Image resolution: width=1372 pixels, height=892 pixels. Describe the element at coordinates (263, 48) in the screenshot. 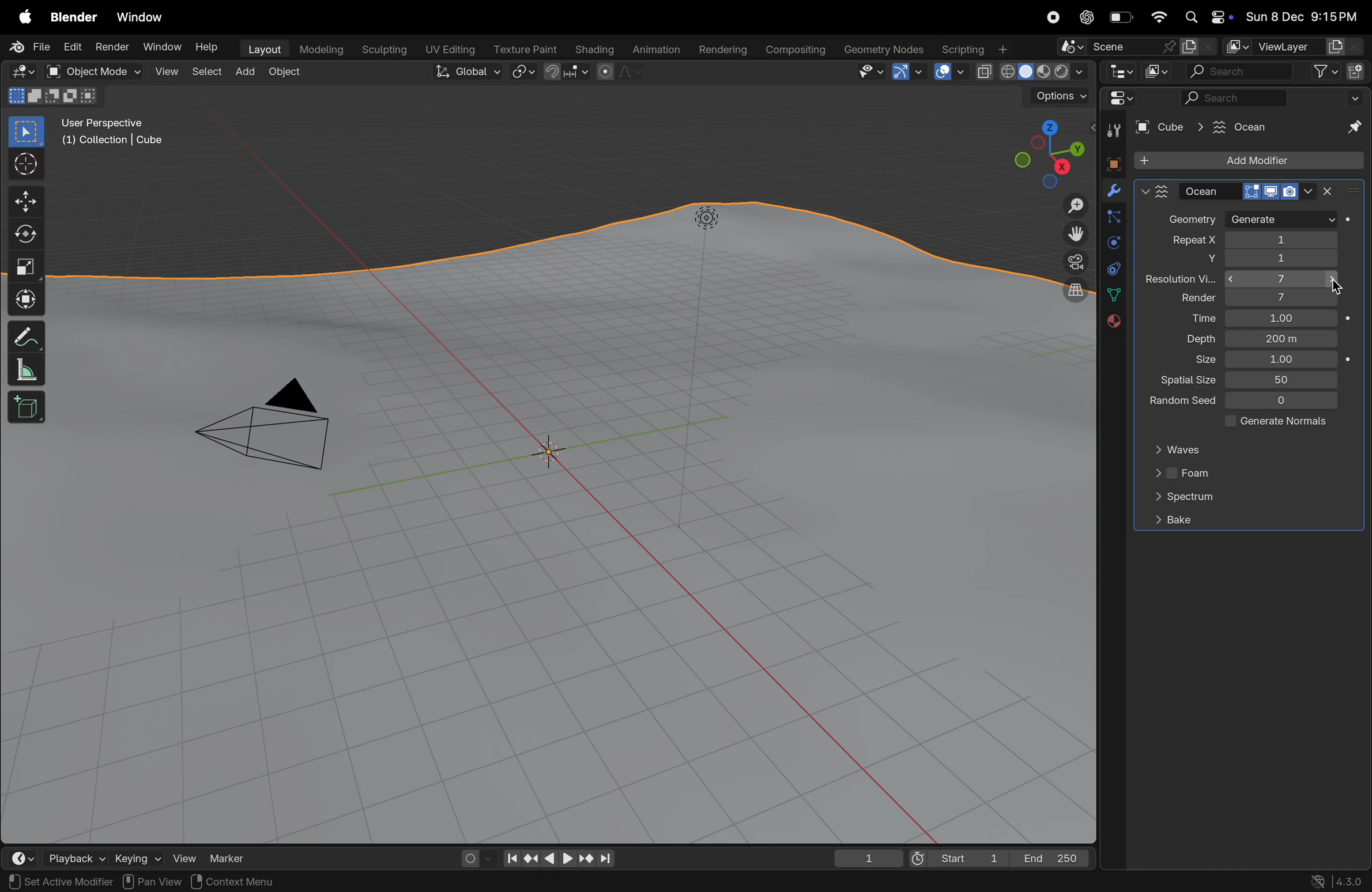

I see `layout` at that location.